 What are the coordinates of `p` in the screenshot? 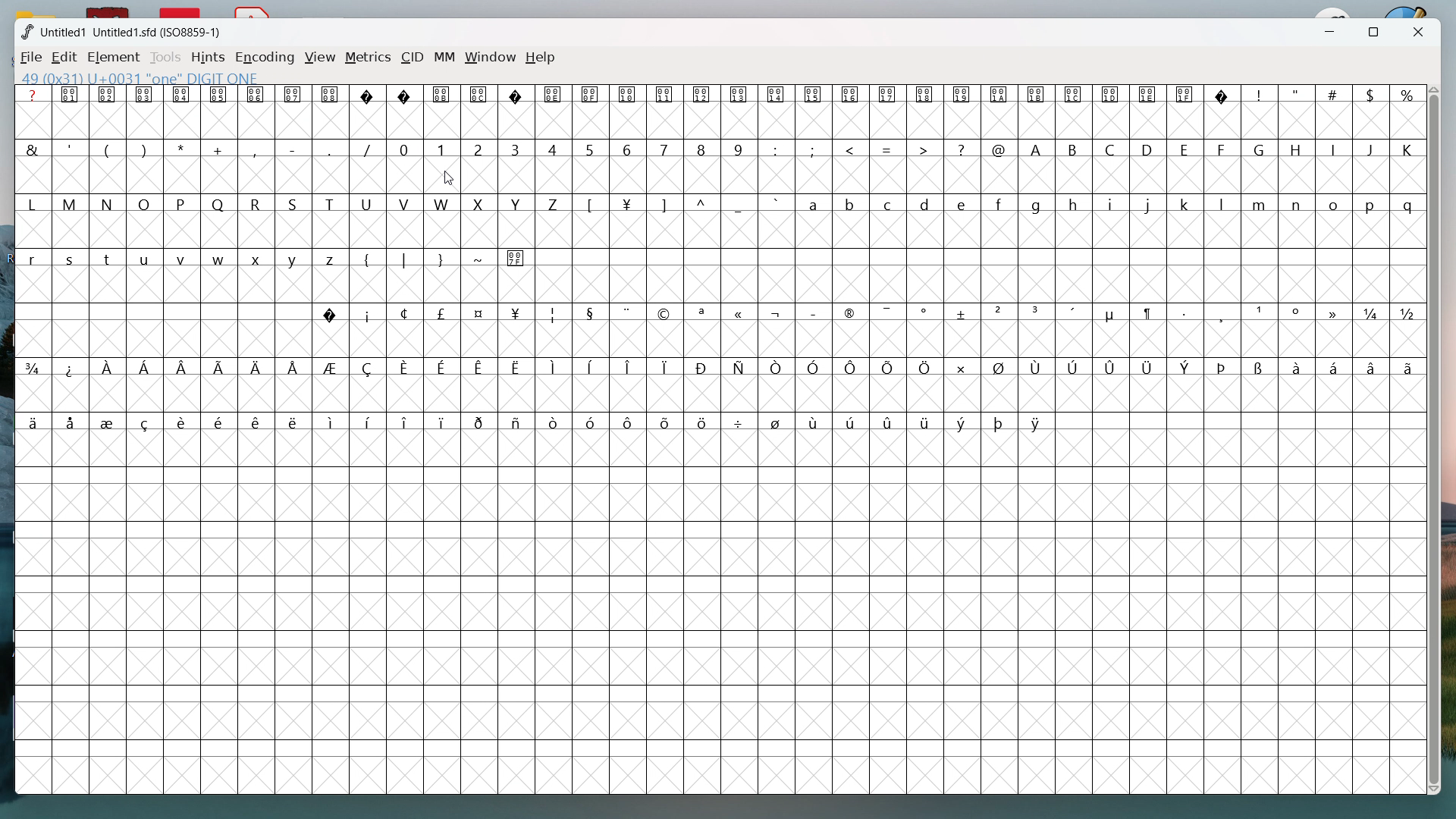 It's located at (1372, 204).